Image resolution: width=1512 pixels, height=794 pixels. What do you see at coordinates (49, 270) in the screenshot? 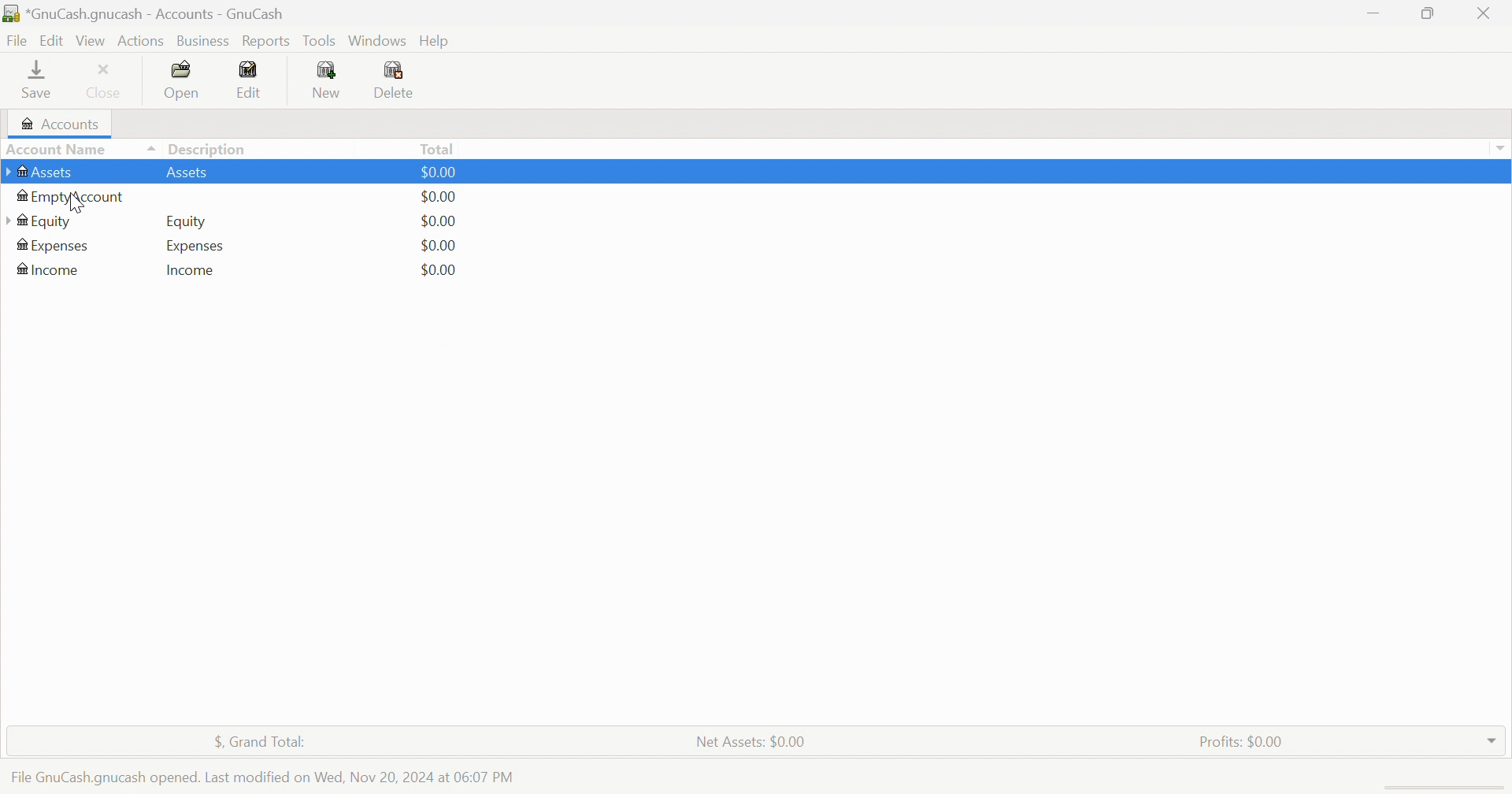
I see `Income` at bounding box center [49, 270].